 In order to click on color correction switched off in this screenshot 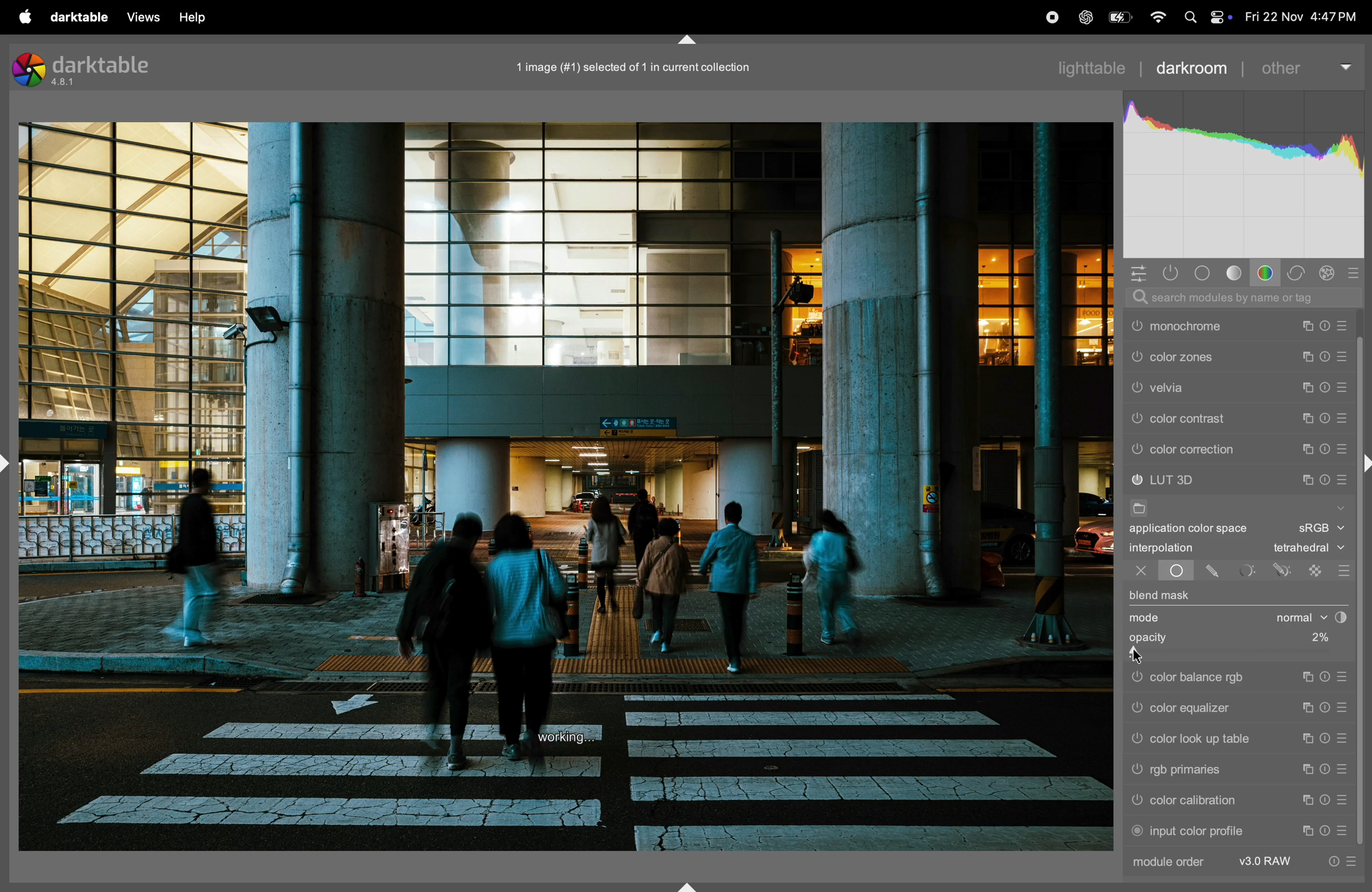, I will do `click(1137, 449)`.